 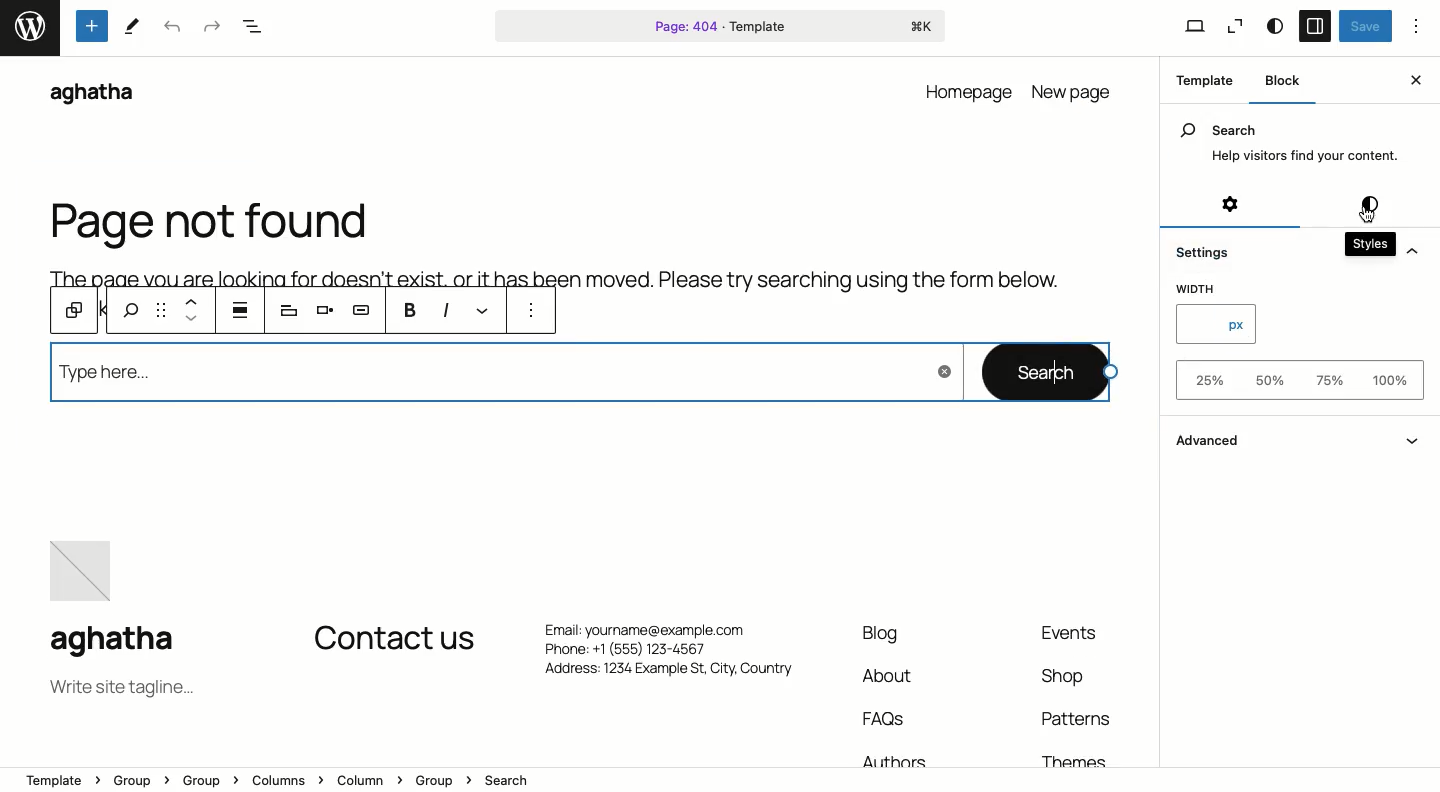 What do you see at coordinates (887, 719) in the screenshot?
I see `FAQs` at bounding box center [887, 719].